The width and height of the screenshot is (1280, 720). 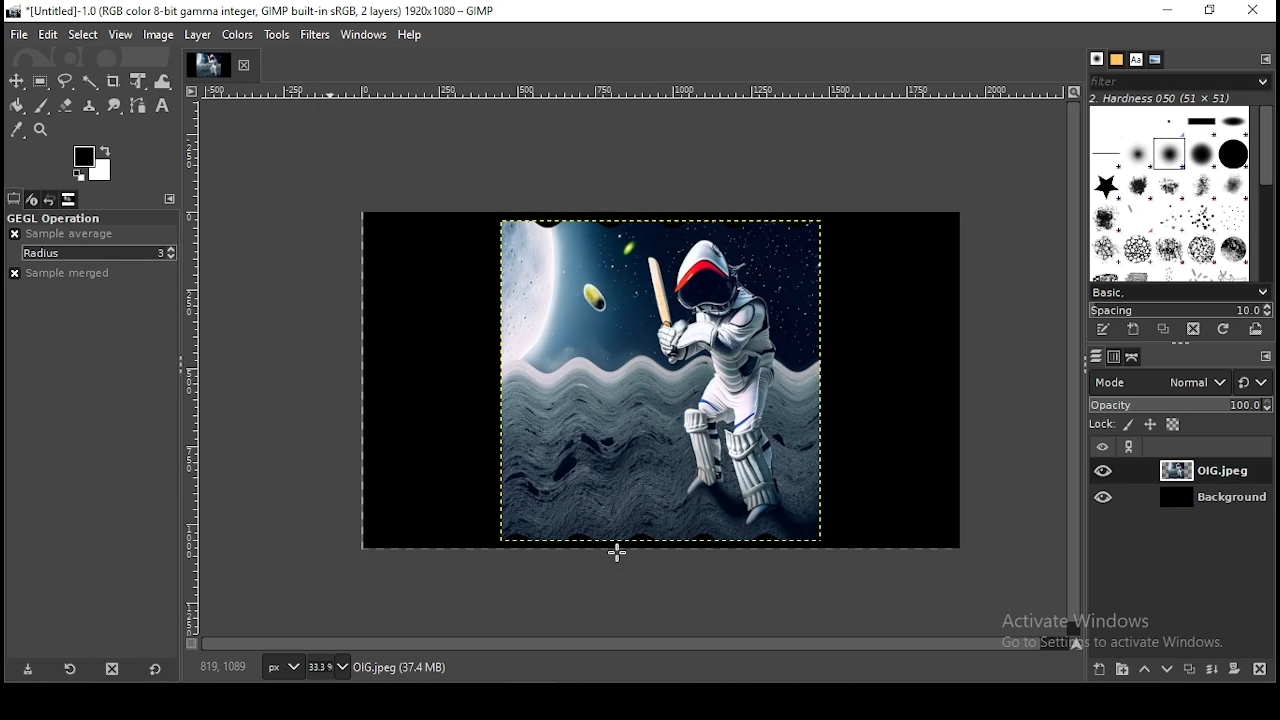 What do you see at coordinates (1253, 382) in the screenshot?
I see `switch to another group of modes` at bounding box center [1253, 382].